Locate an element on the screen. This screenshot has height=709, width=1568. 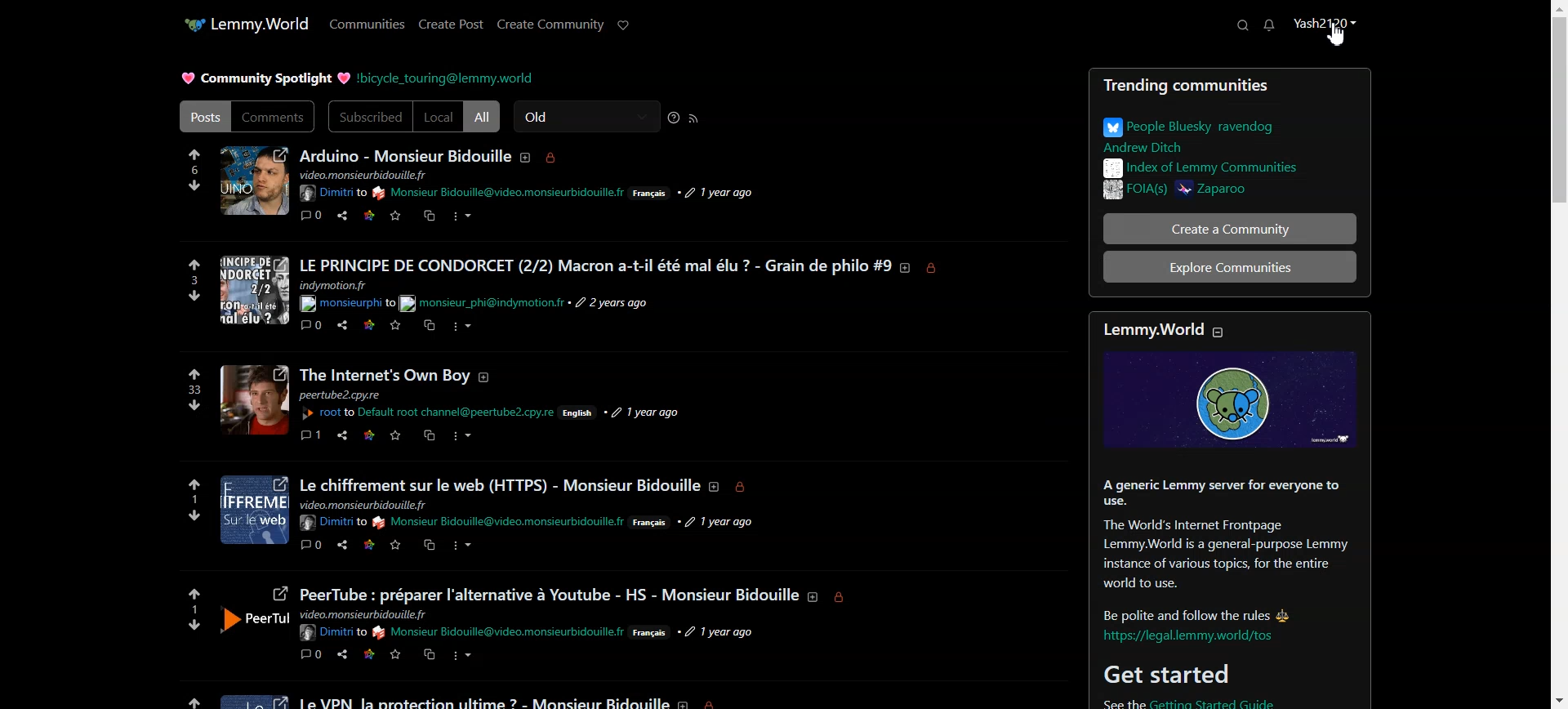
Old is located at coordinates (587, 116).